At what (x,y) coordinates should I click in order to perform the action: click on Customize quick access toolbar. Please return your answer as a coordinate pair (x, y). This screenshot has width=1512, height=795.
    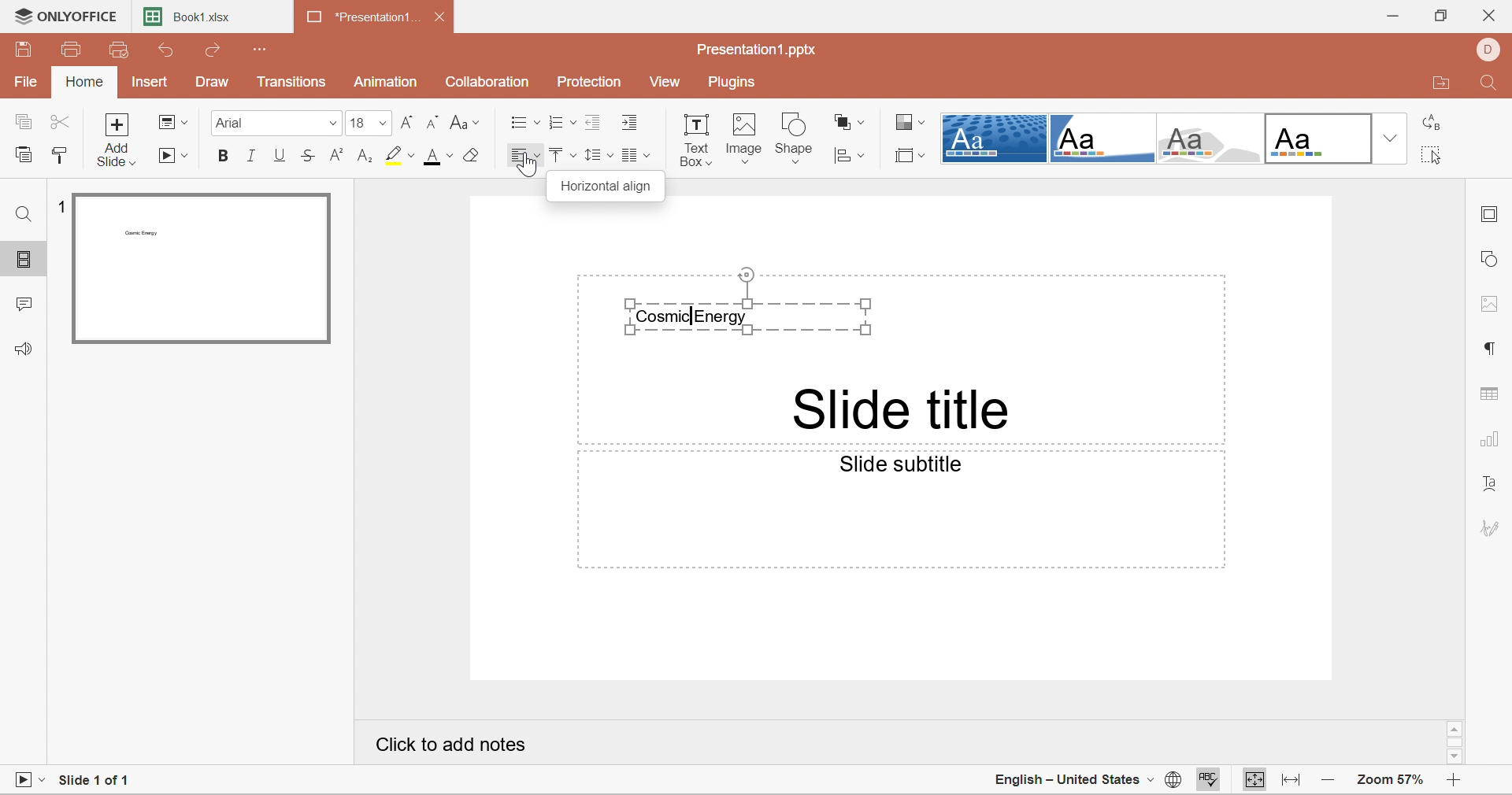
    Looking at the image, I should click on (262, 50).